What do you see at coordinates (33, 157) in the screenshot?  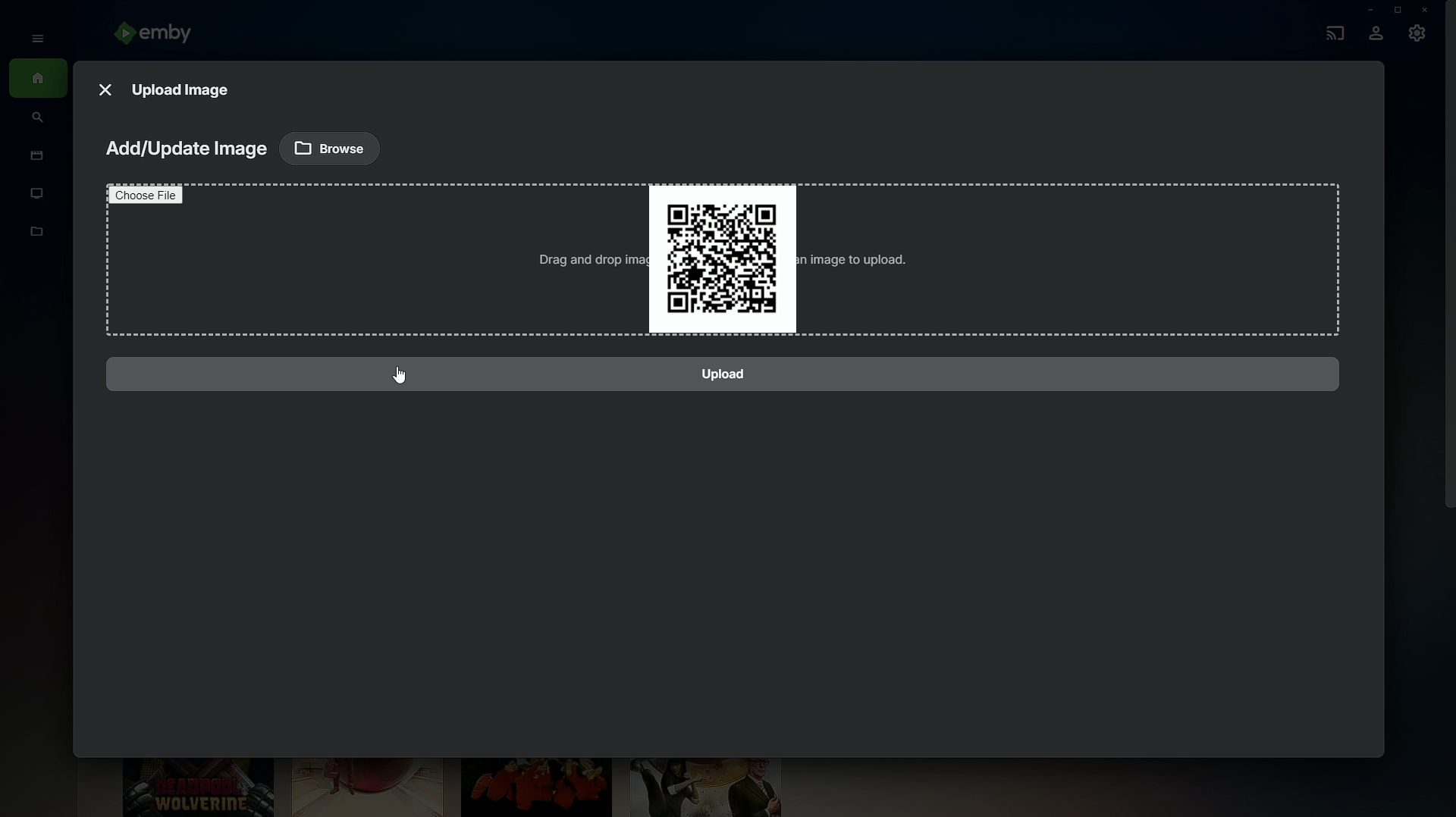 I see `Movies` at bounding box center [33, 157].